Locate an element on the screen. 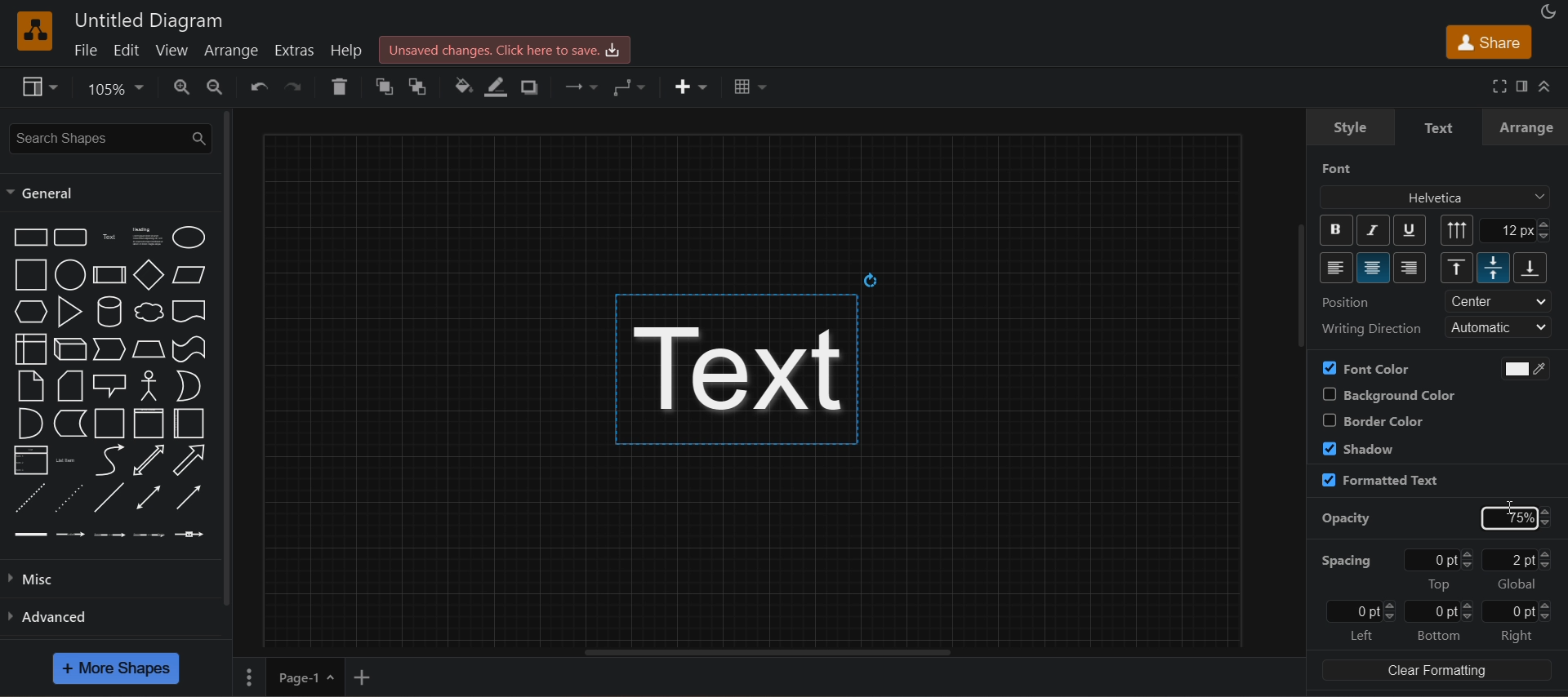 This screenshot has width=1568, height=697. tape is located at coordinates (190, 349).